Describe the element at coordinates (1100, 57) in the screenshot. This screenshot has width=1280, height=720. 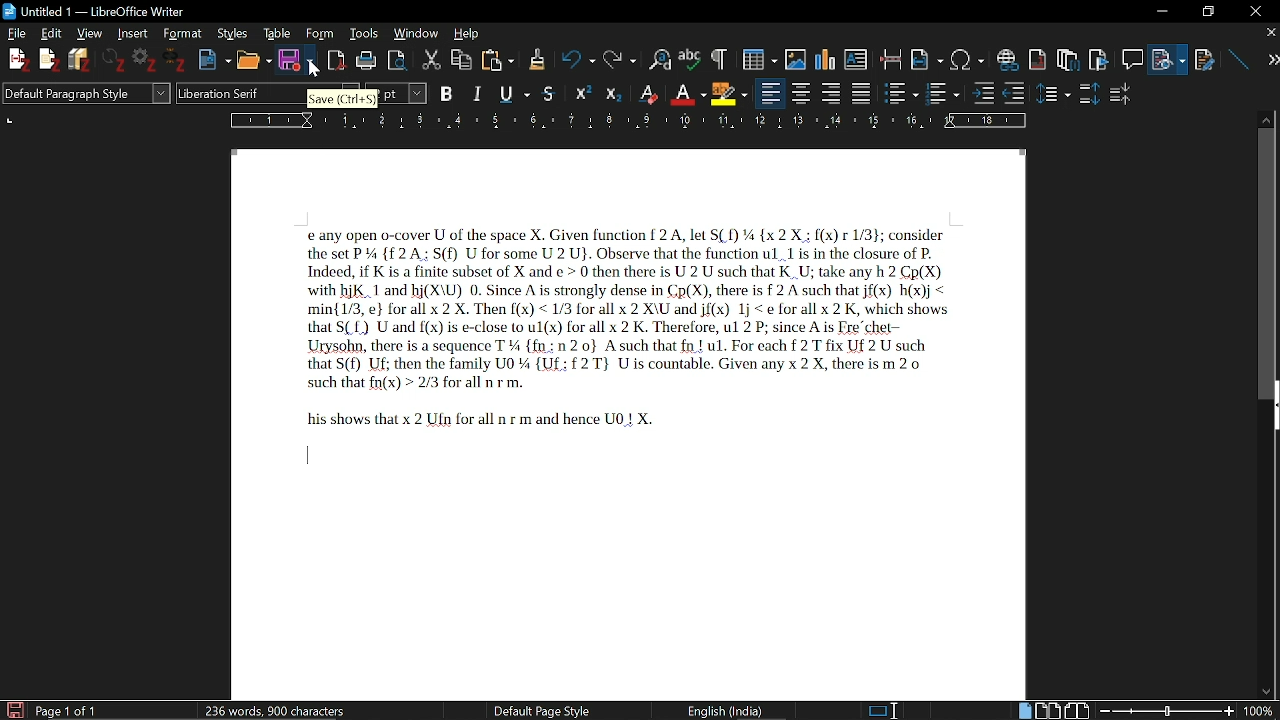
I see `insert bookmark` at that location.